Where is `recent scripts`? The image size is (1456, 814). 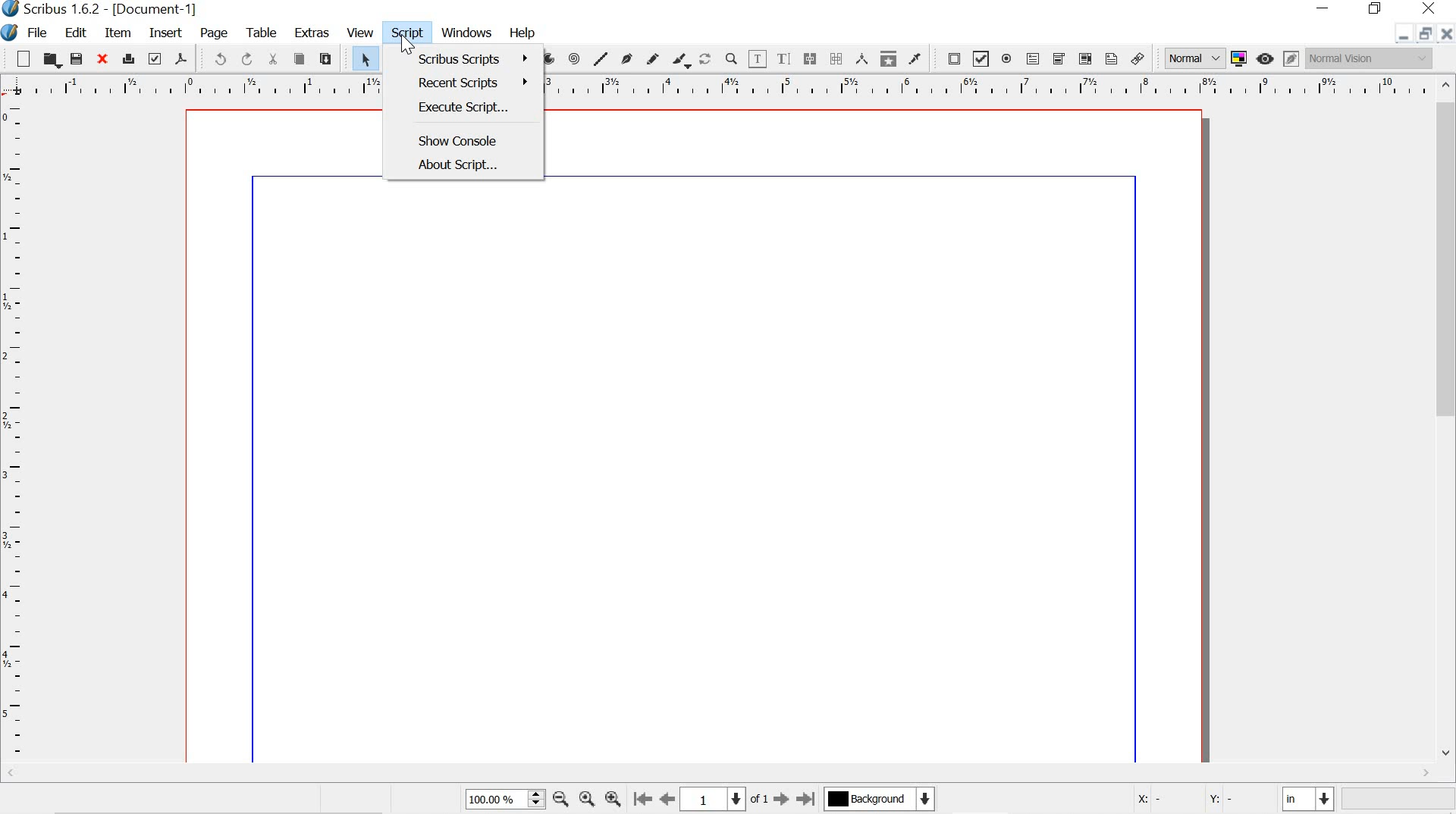 recent scripts is located at coordinates (473, 84).